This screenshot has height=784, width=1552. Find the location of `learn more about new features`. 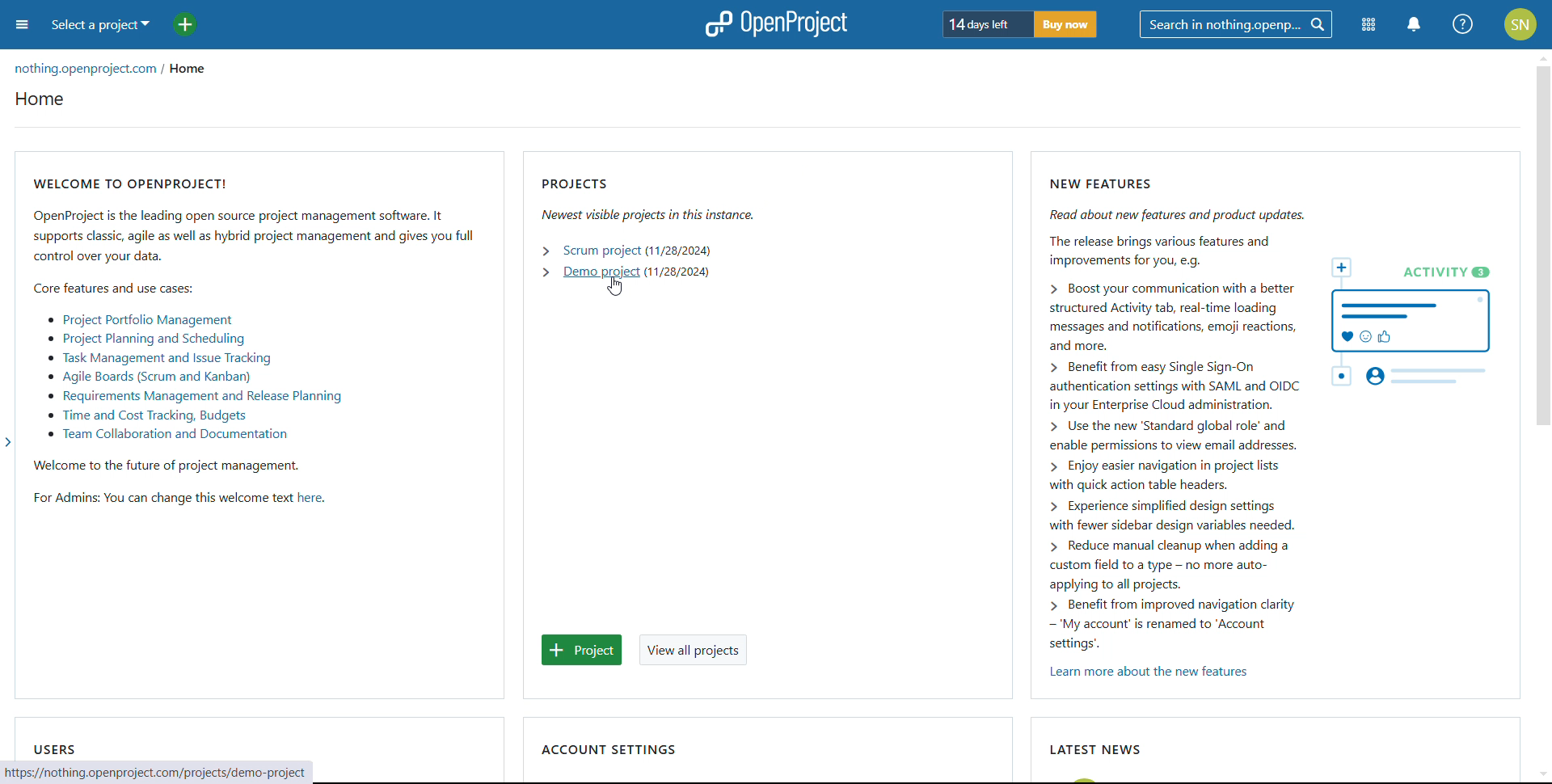

learn more about new features is located at coordinates (1146, 672).